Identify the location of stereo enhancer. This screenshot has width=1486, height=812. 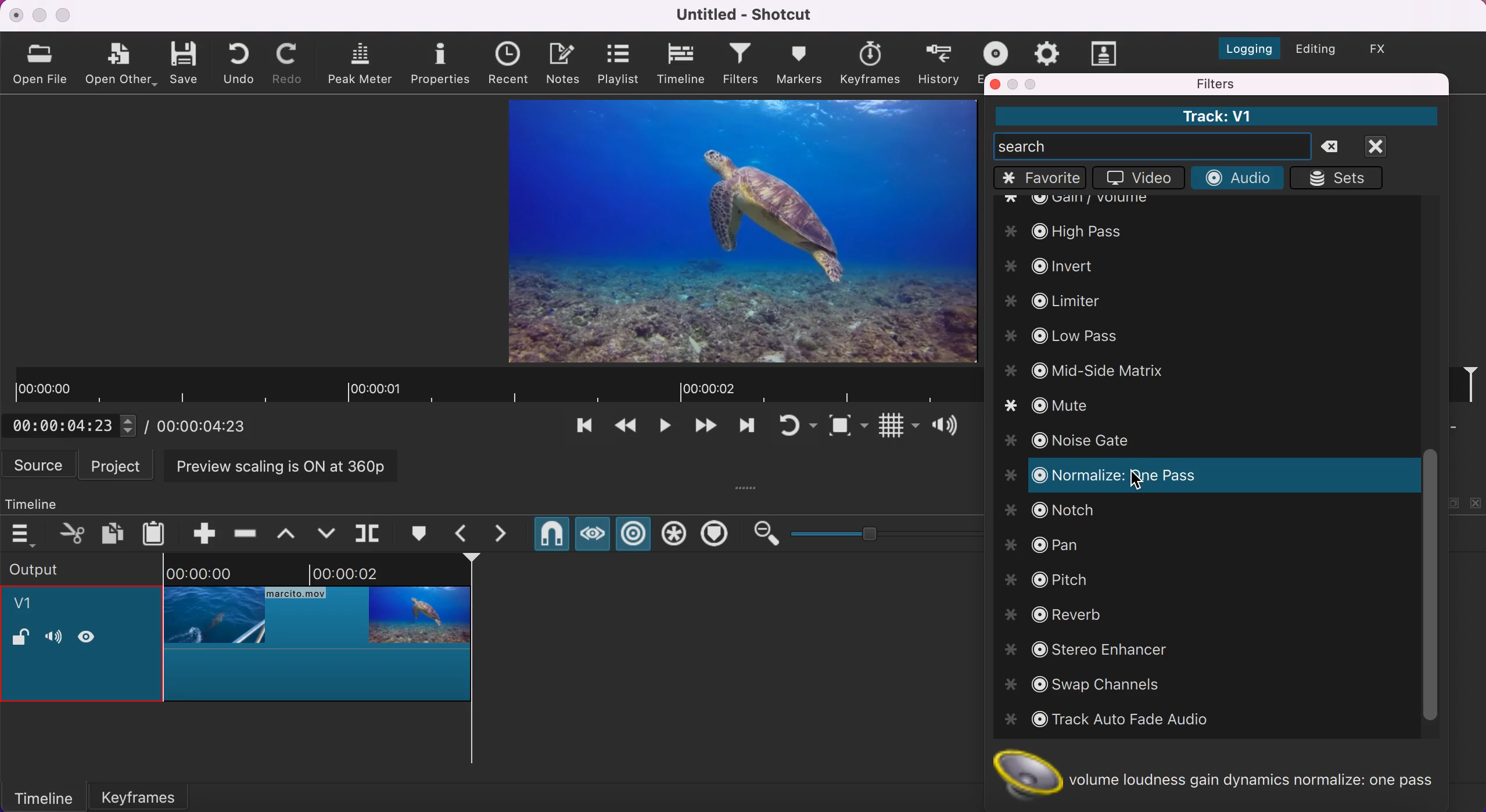
(1103, 649).